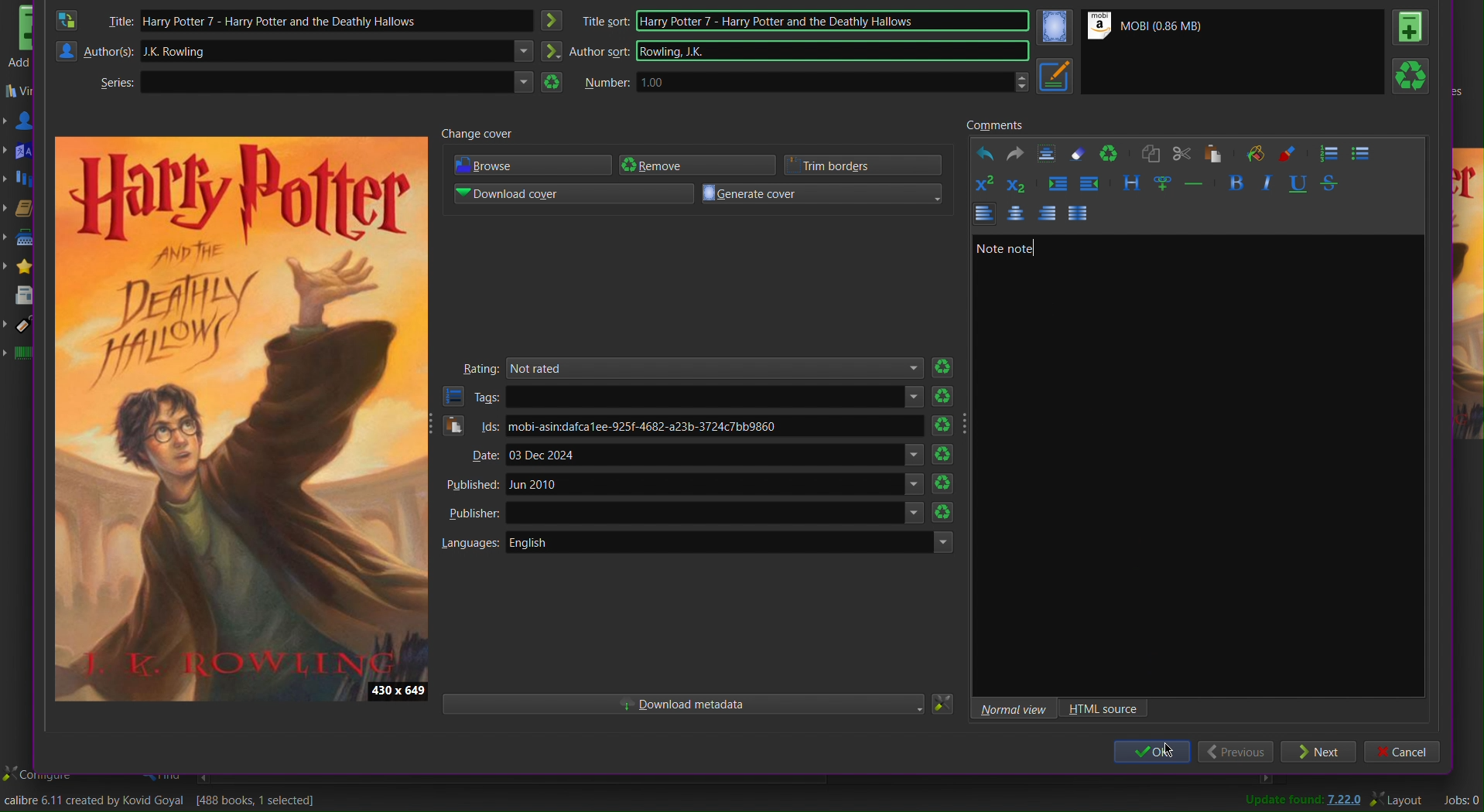 The height and width of the screenshot is (812, 1484). What do you see at coordinates (1467, 298) in the screenshot?
I see `preview cover` at bounding box center [1467, 298].